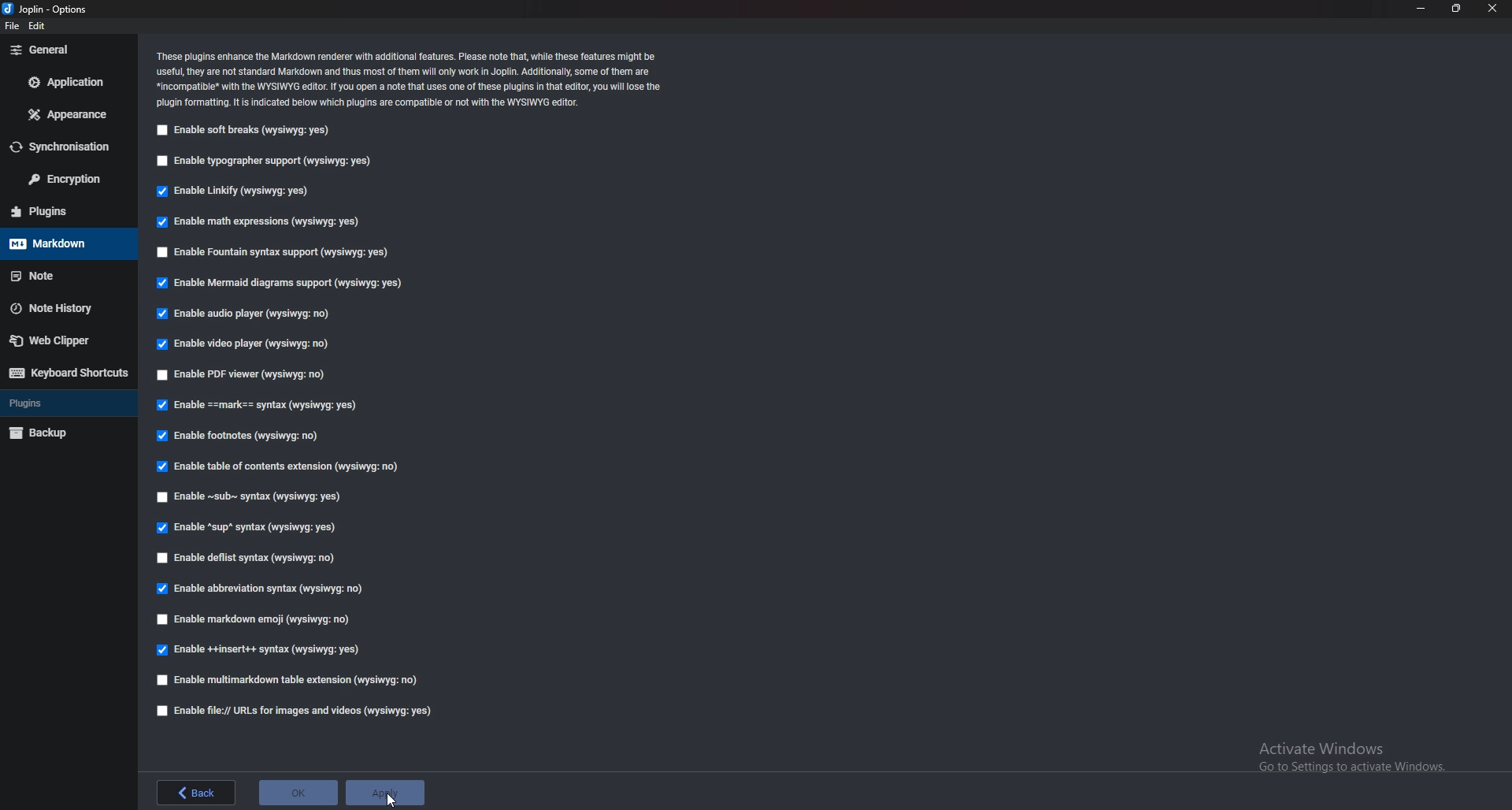 This screenshot has width=1512, height=810. I want to click on enable deflist syntax, so click(250, 556).